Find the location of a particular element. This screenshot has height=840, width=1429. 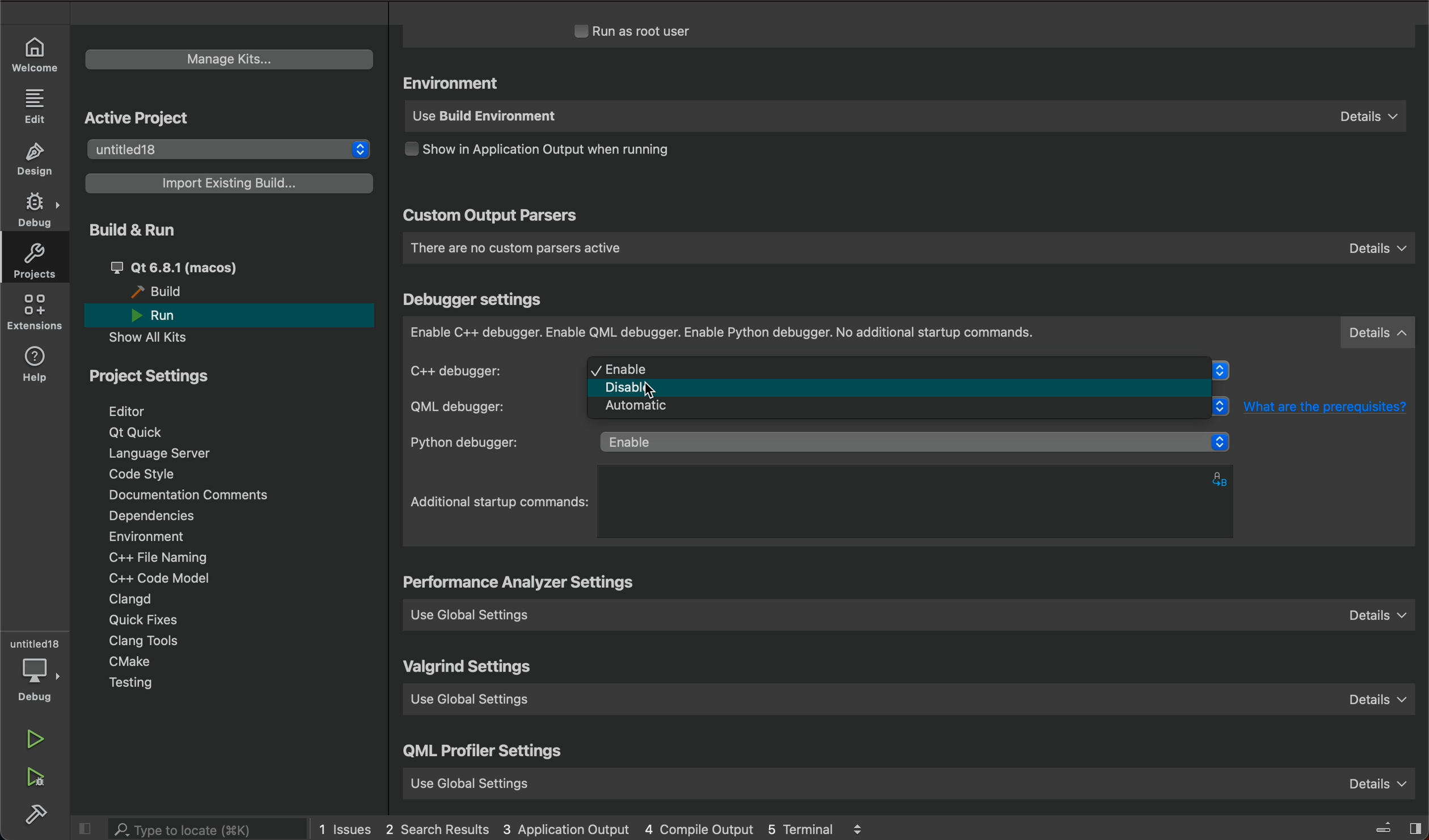

cmake is located at coordinates (130, 661).